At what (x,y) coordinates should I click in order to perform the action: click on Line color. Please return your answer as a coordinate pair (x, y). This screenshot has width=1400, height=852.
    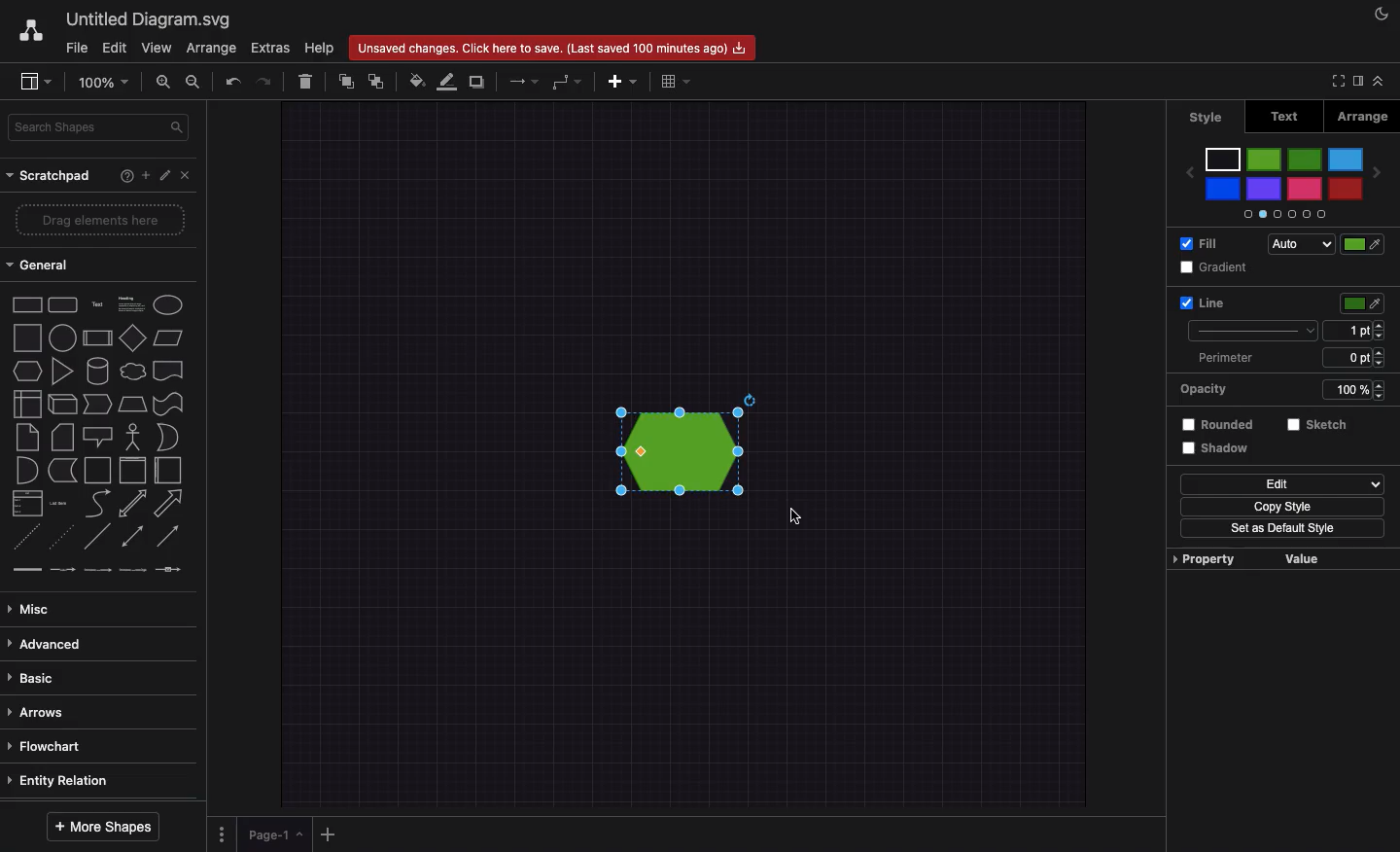
    Looking at the image, I should click on (448, 83).